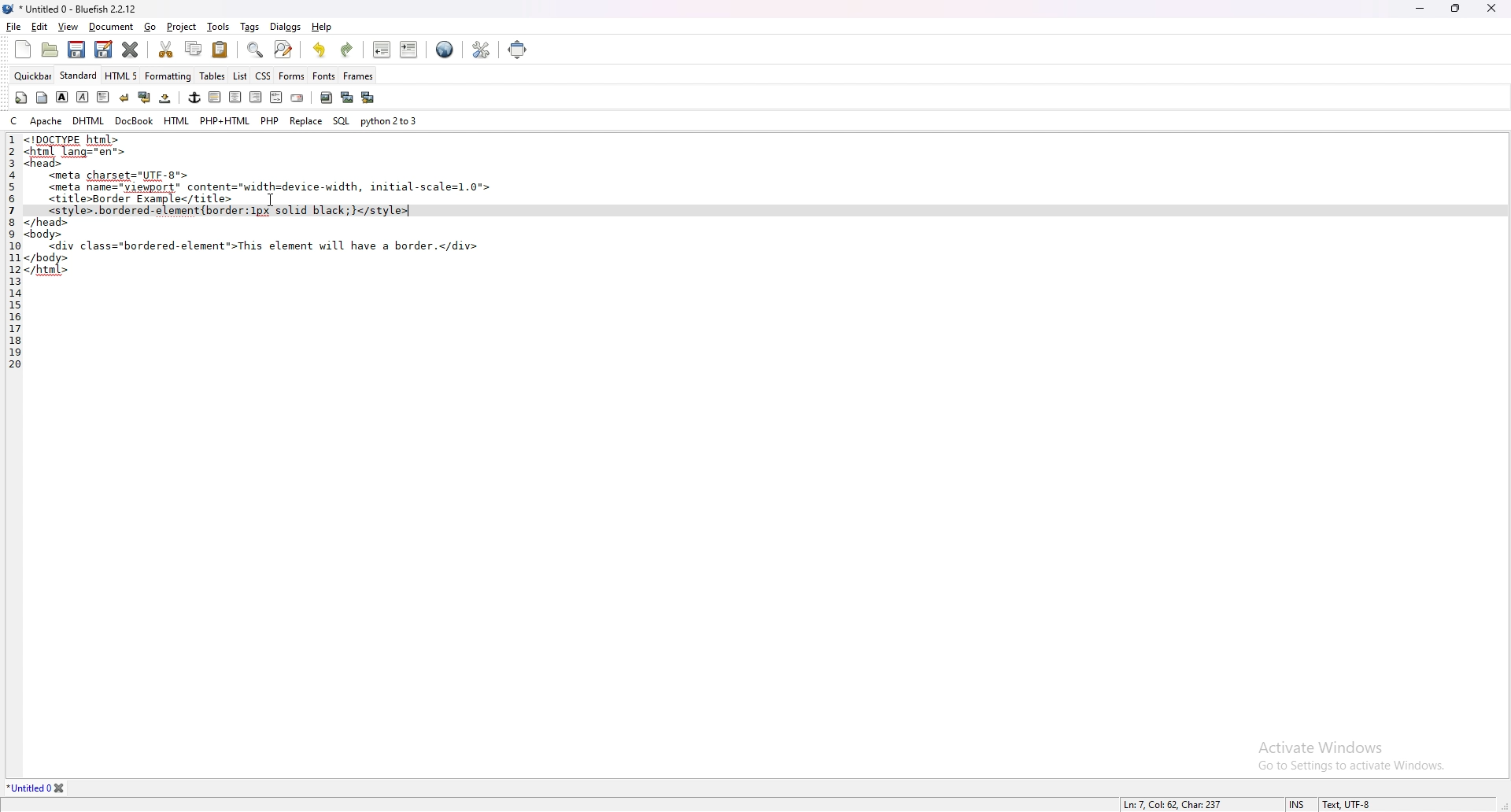 The image size is (1511, 812). I want to click on * Untitled 0 - Bluefish 2.2.12, so click(79, 10).